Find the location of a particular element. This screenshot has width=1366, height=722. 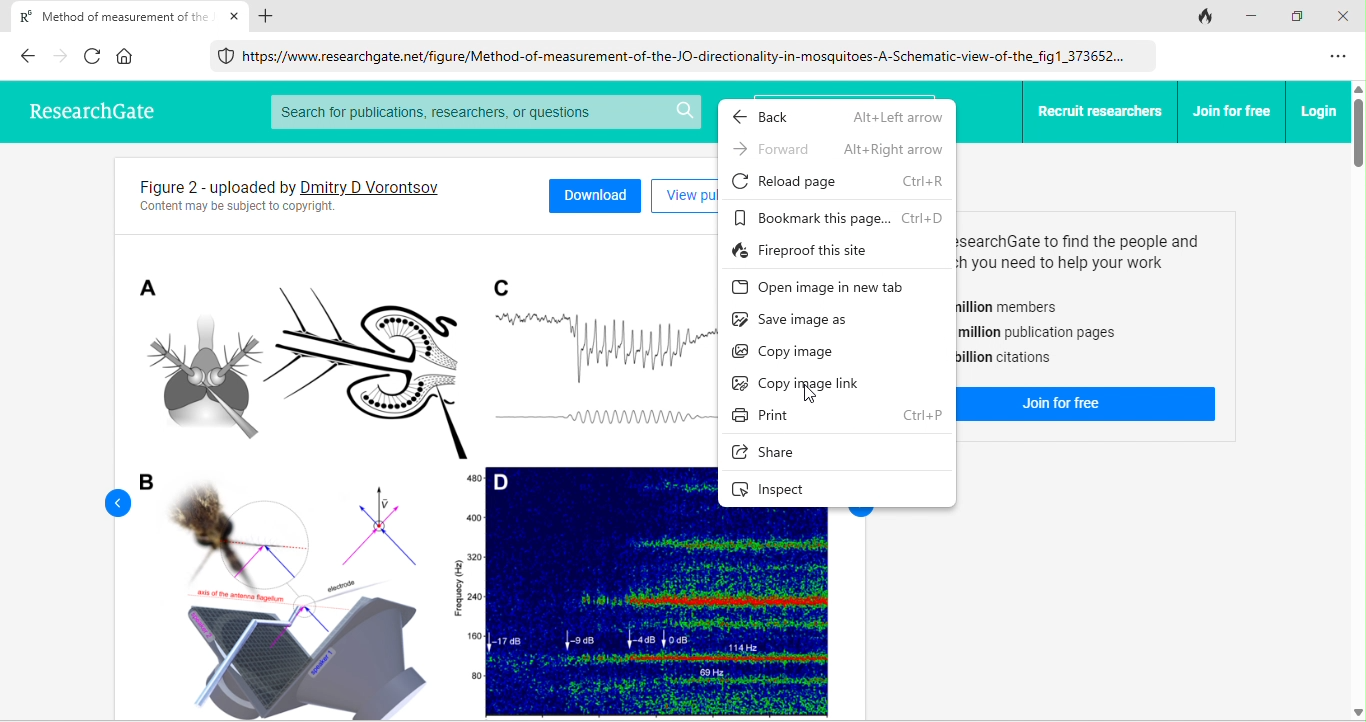

open image in new tab is located at coordinates (823, 286).